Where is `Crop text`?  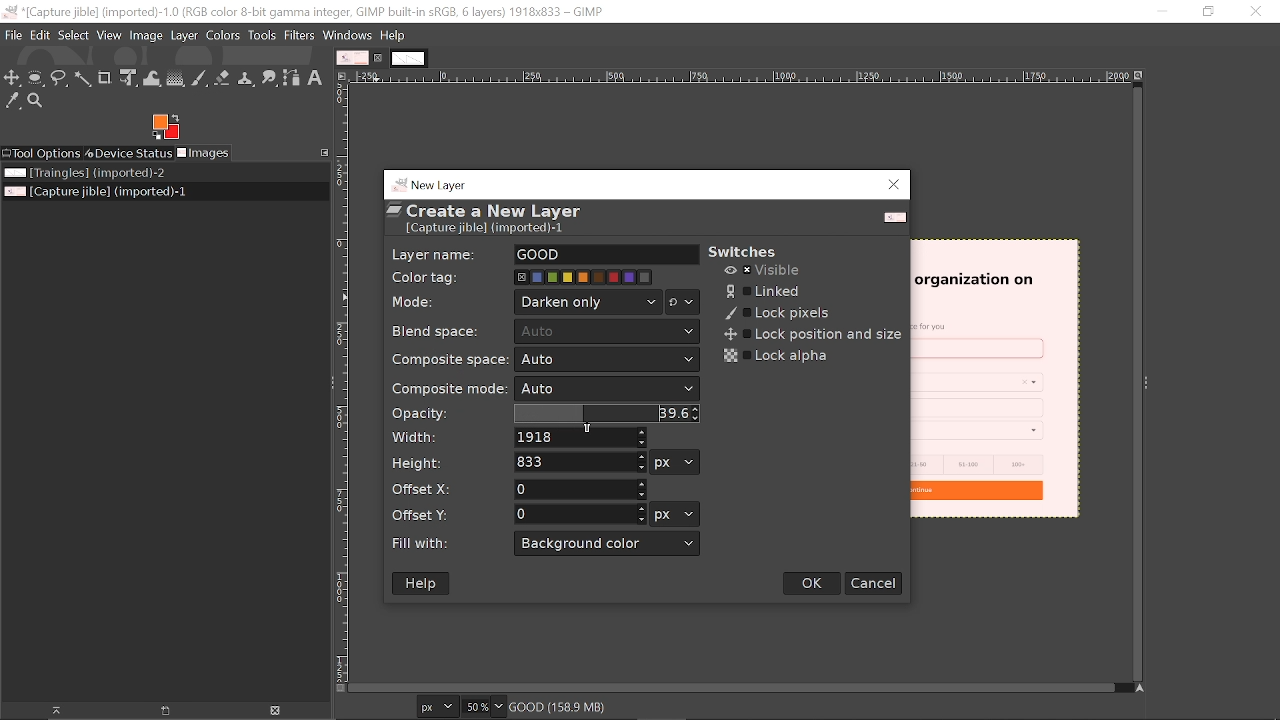
Crop text is located at coordinates (105, 77).